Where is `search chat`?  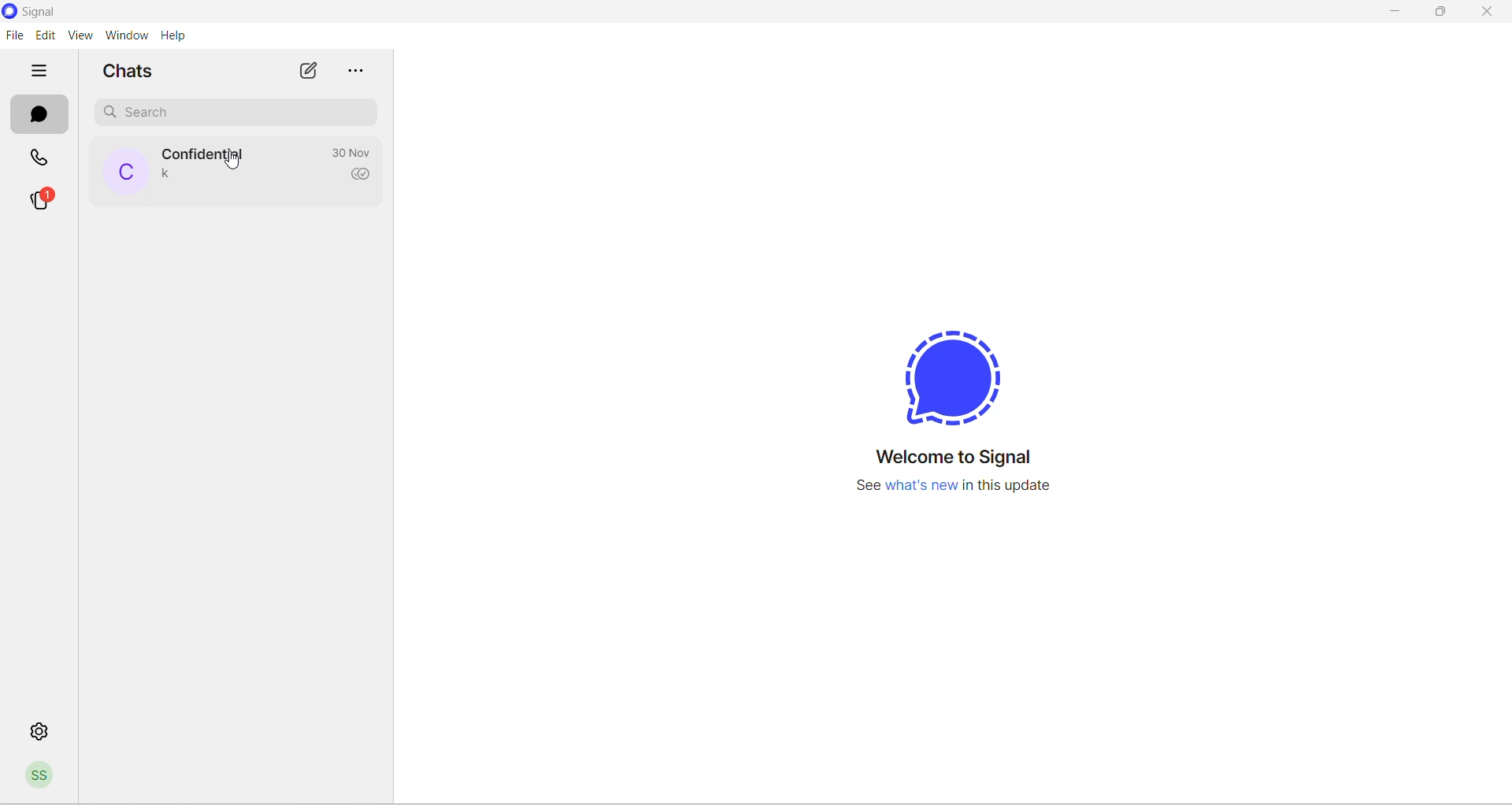
search chat is located at coordinates (239, 111).